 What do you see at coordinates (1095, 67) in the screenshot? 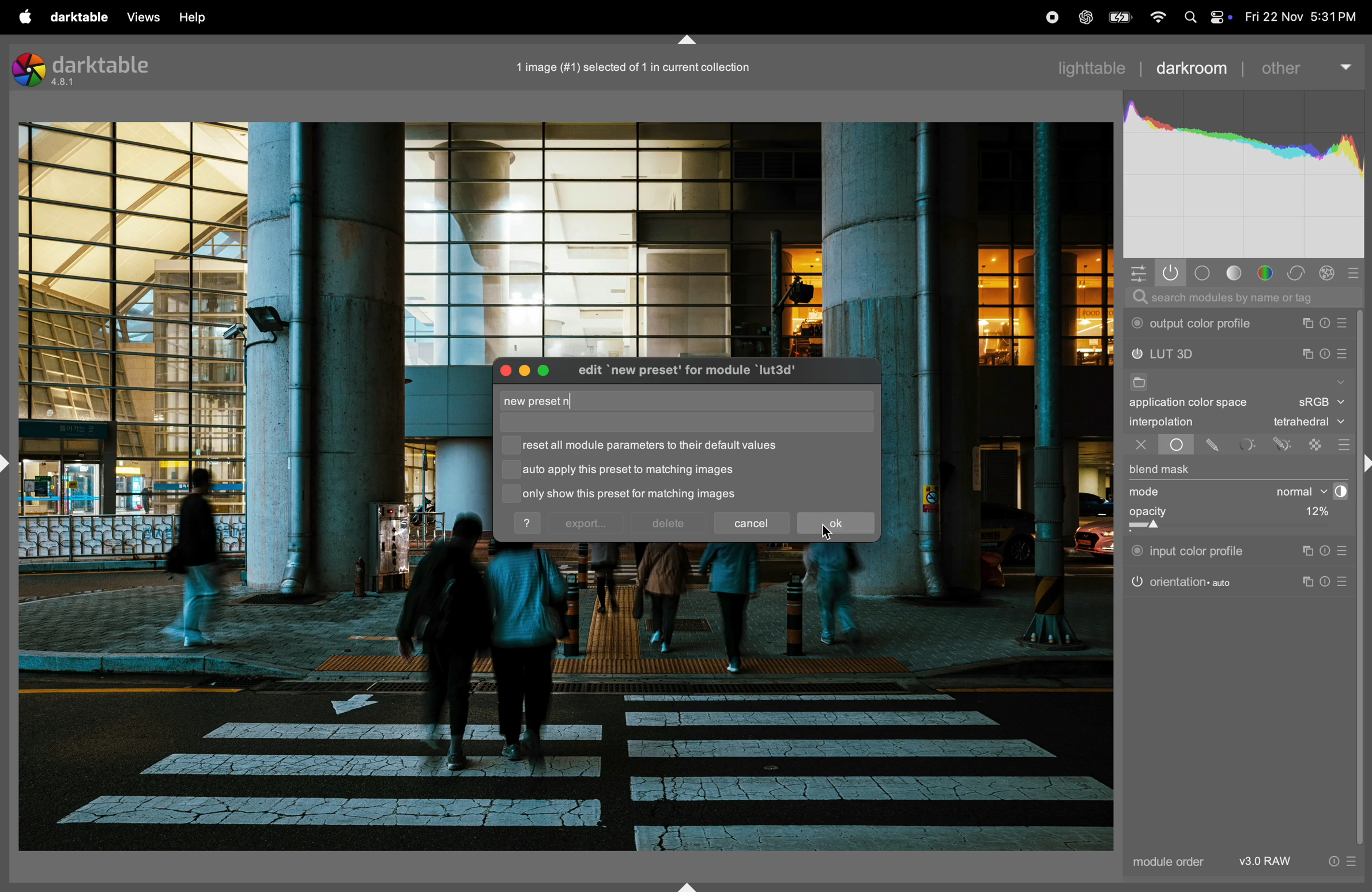
I see `lightable` at bounding box center [1095, 67].